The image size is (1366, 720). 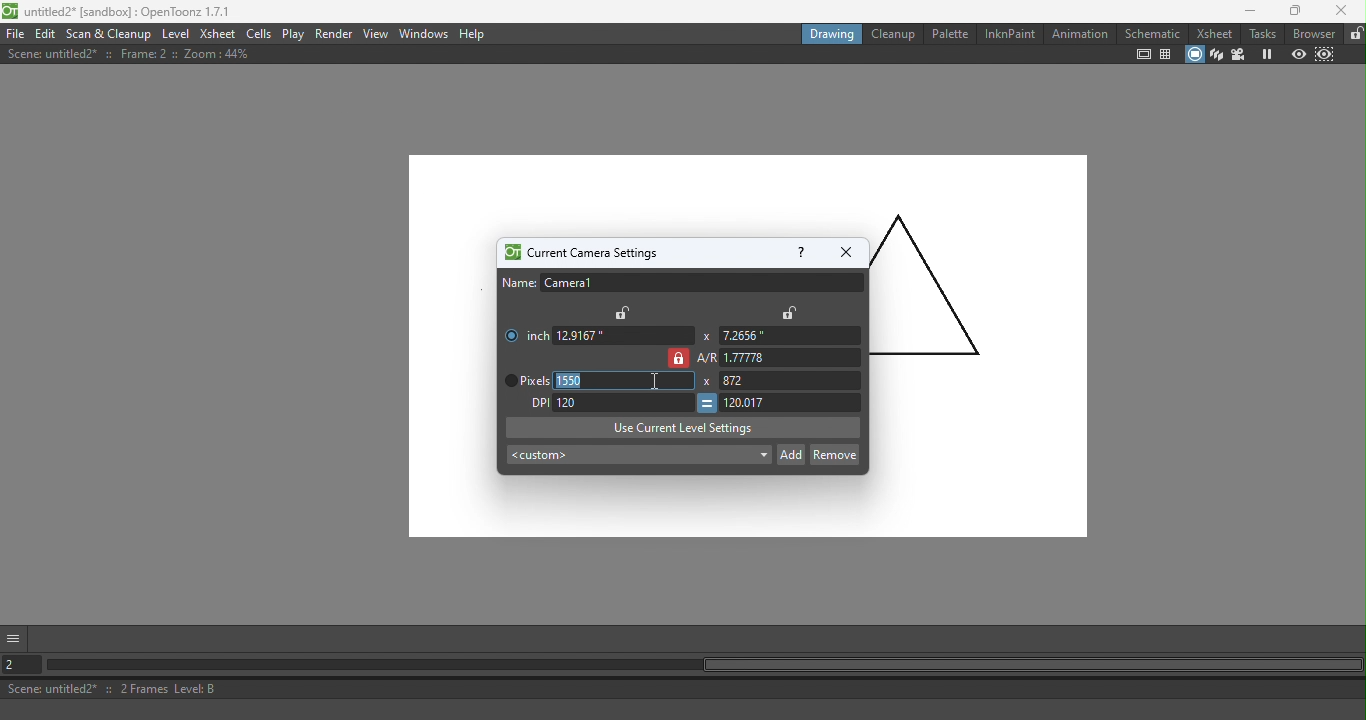 What do you see at coordinates (1078, 33) in the screenshot?
I see `Animation` at bounding box center [1078, 33].